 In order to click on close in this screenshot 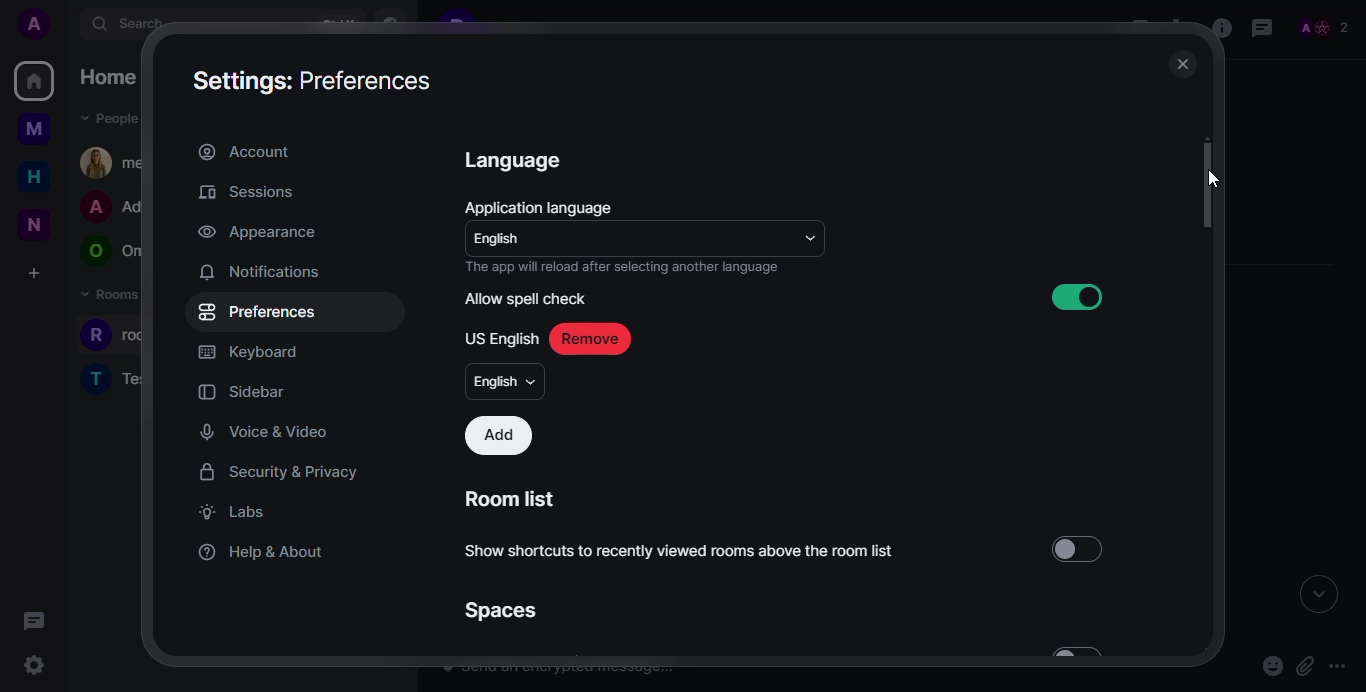, I will do `click(1181, 65)`.